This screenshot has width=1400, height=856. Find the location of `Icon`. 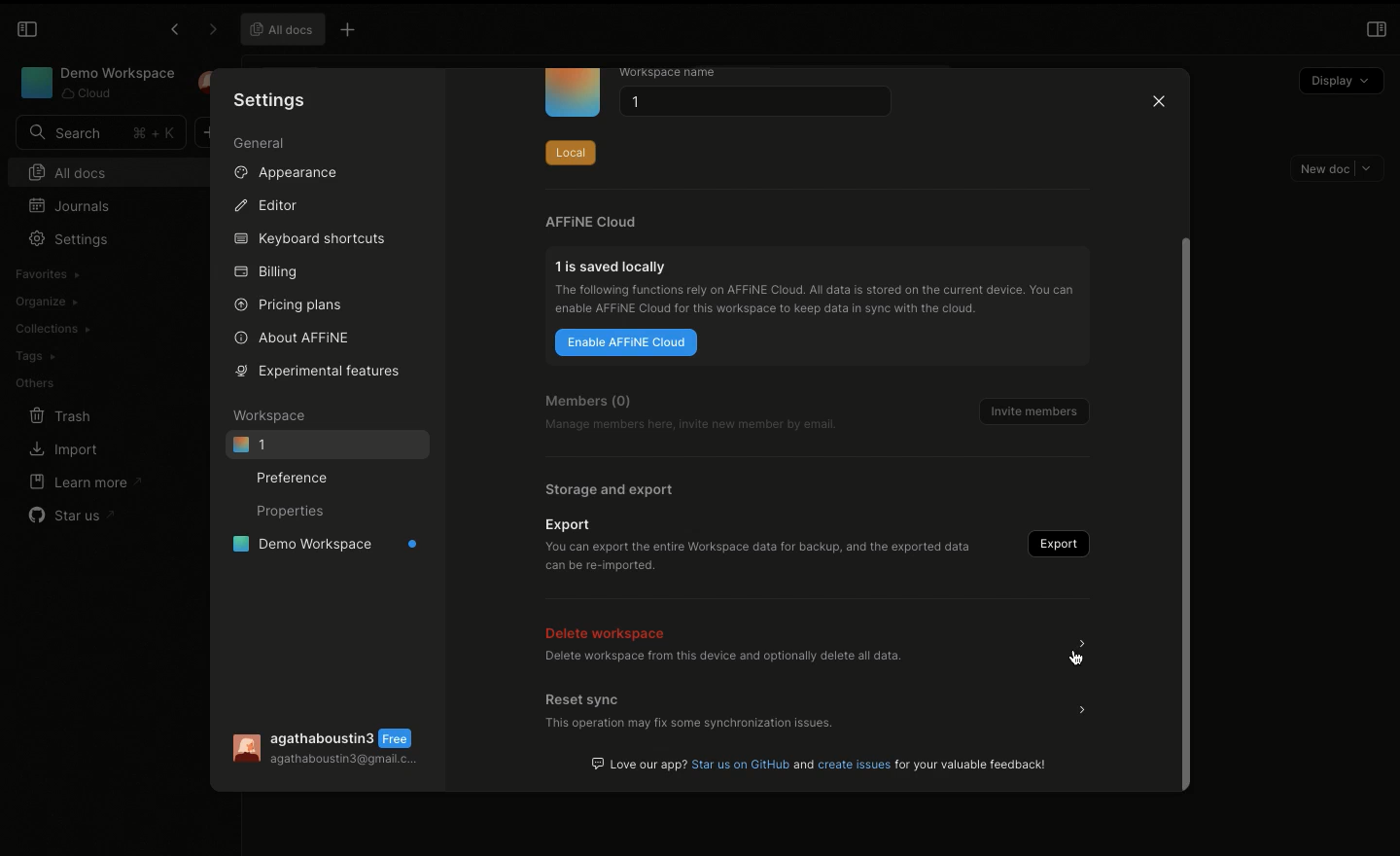

Icon is located at coordinates (573, 93).